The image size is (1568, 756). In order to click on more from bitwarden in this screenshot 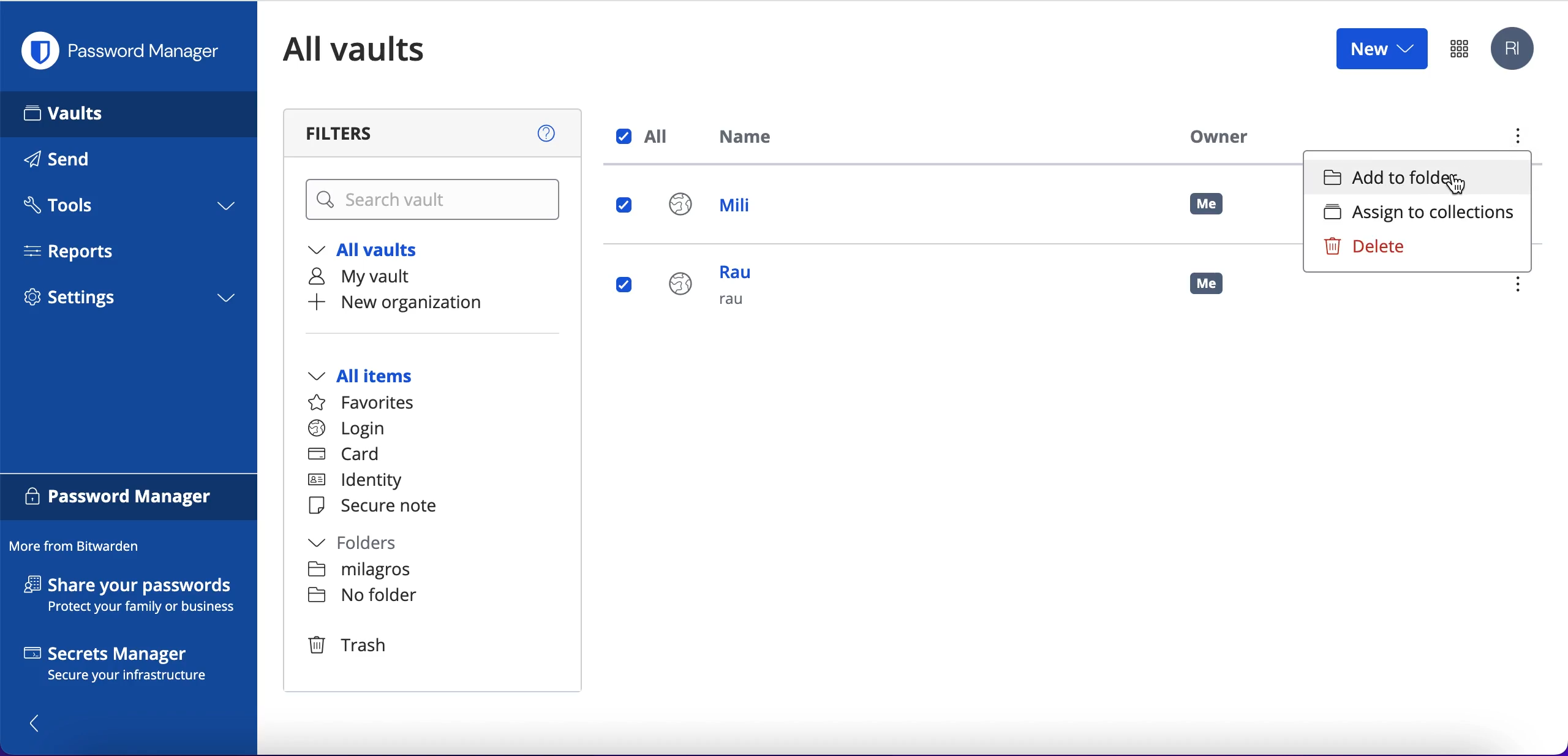, I will do `click(80, 547)`.